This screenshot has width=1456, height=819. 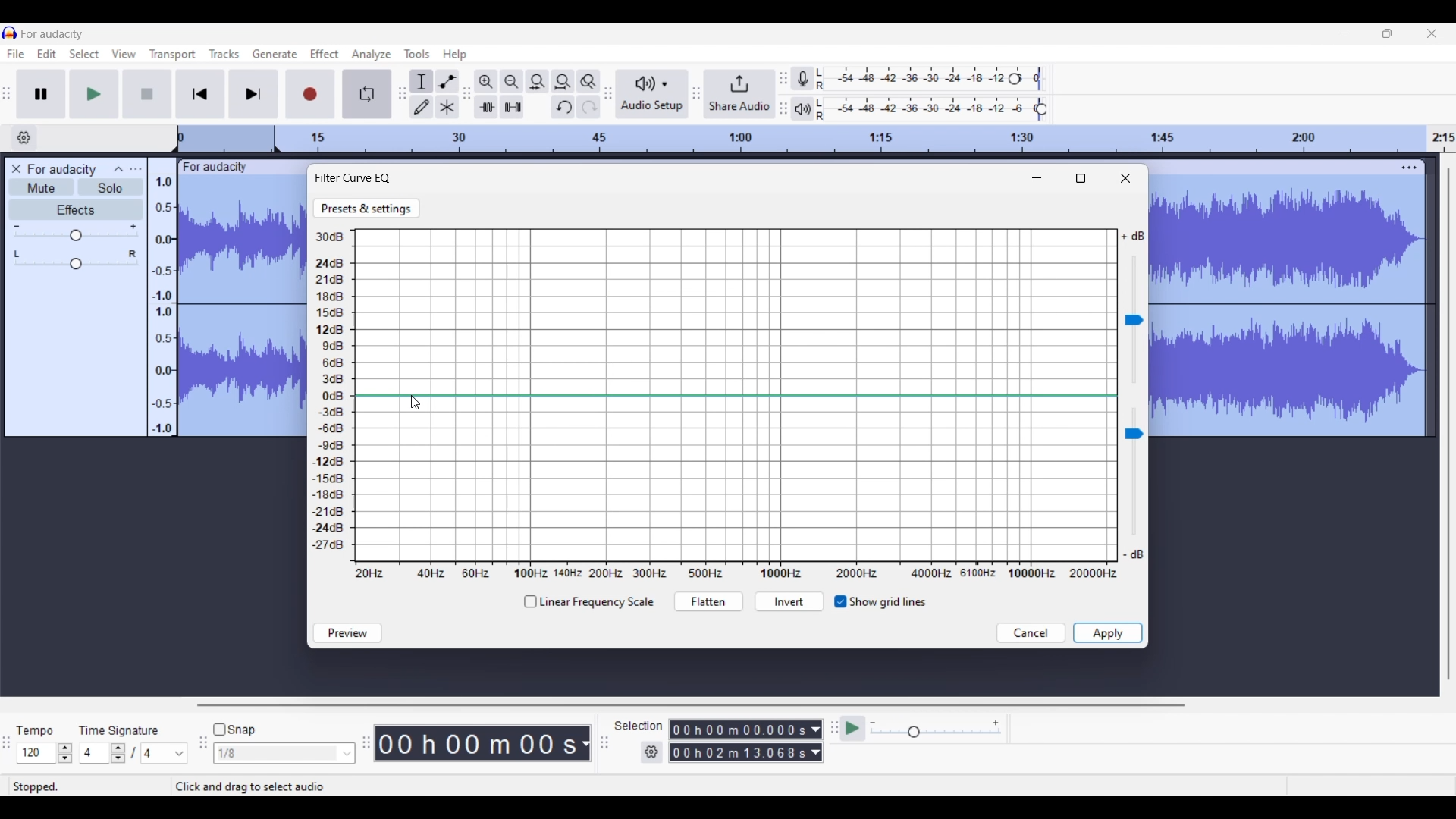 What do you see at coordinates (486, 81) in the screenshot?
I see `Zoom in` at bounding box center [486, 81].